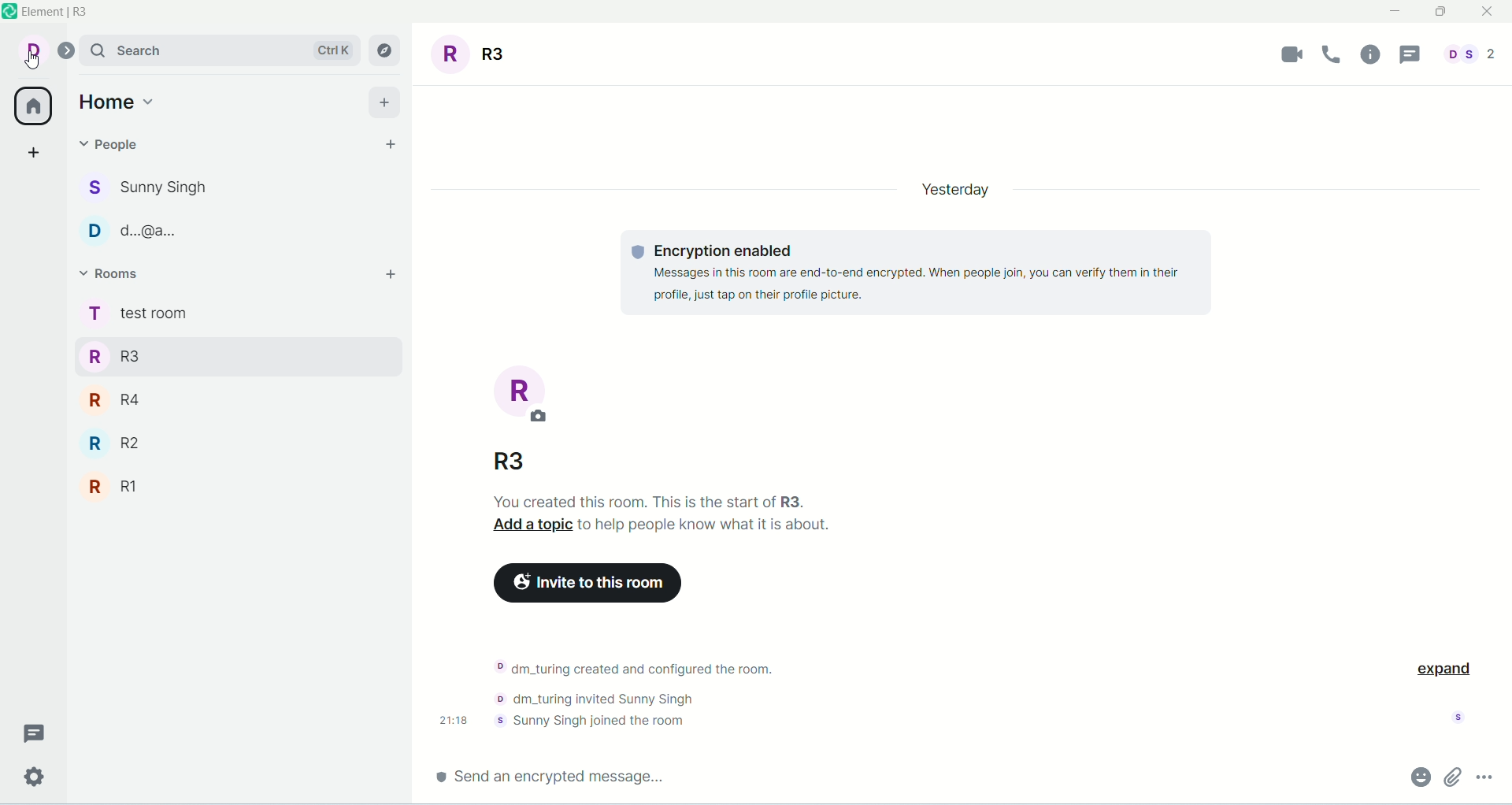 Image resolution: width=1512 pixels, height=805 pixels. Describe the element at coordinates (209, 354) in the screenshot. I see `R3` at that location.